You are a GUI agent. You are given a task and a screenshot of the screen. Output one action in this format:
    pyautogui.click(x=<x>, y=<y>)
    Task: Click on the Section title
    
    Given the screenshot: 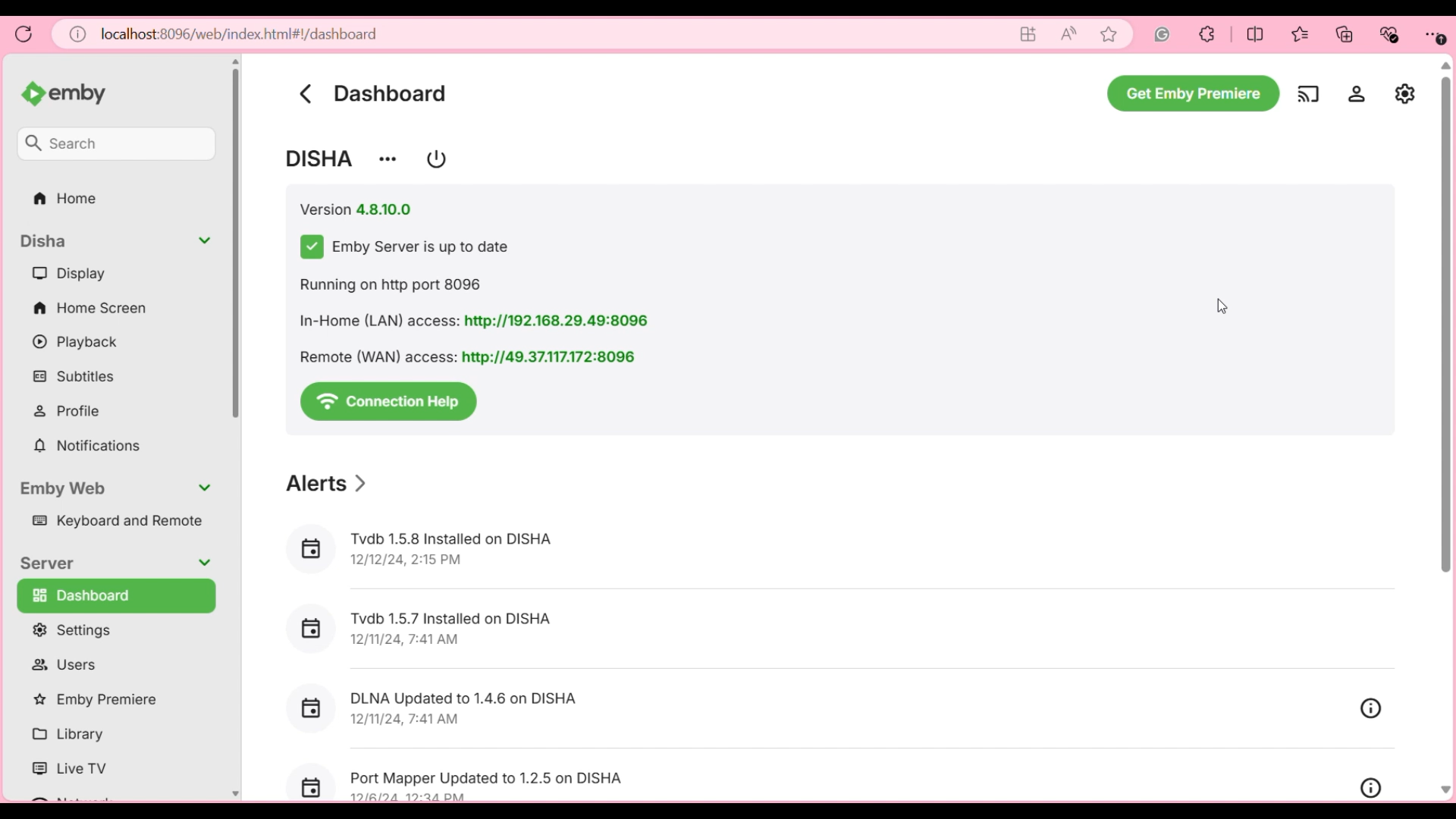 What is the action you would take?
    pyautogui.click(x=327, y=484)
    